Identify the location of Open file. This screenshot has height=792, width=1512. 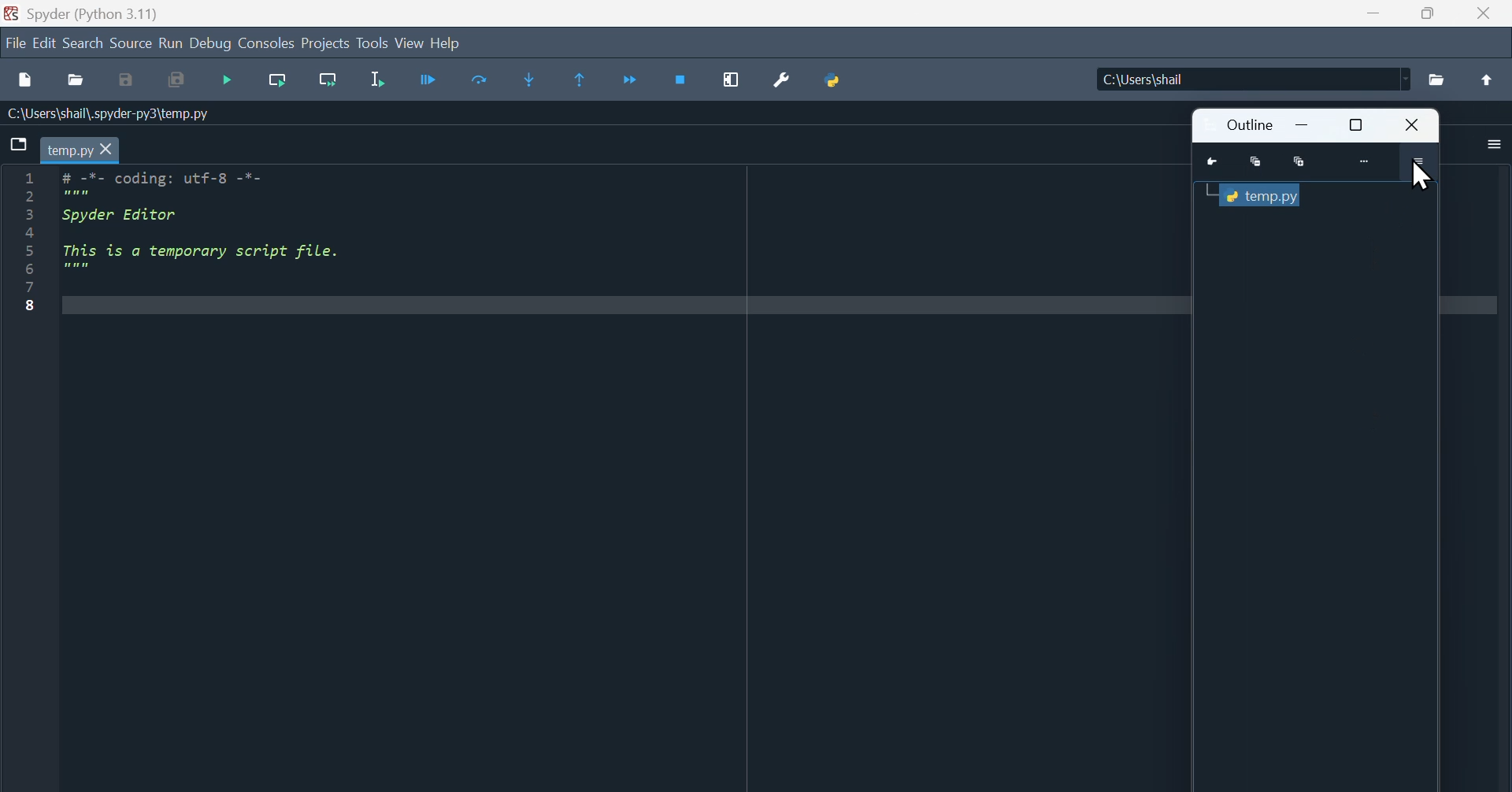
(76, 80).